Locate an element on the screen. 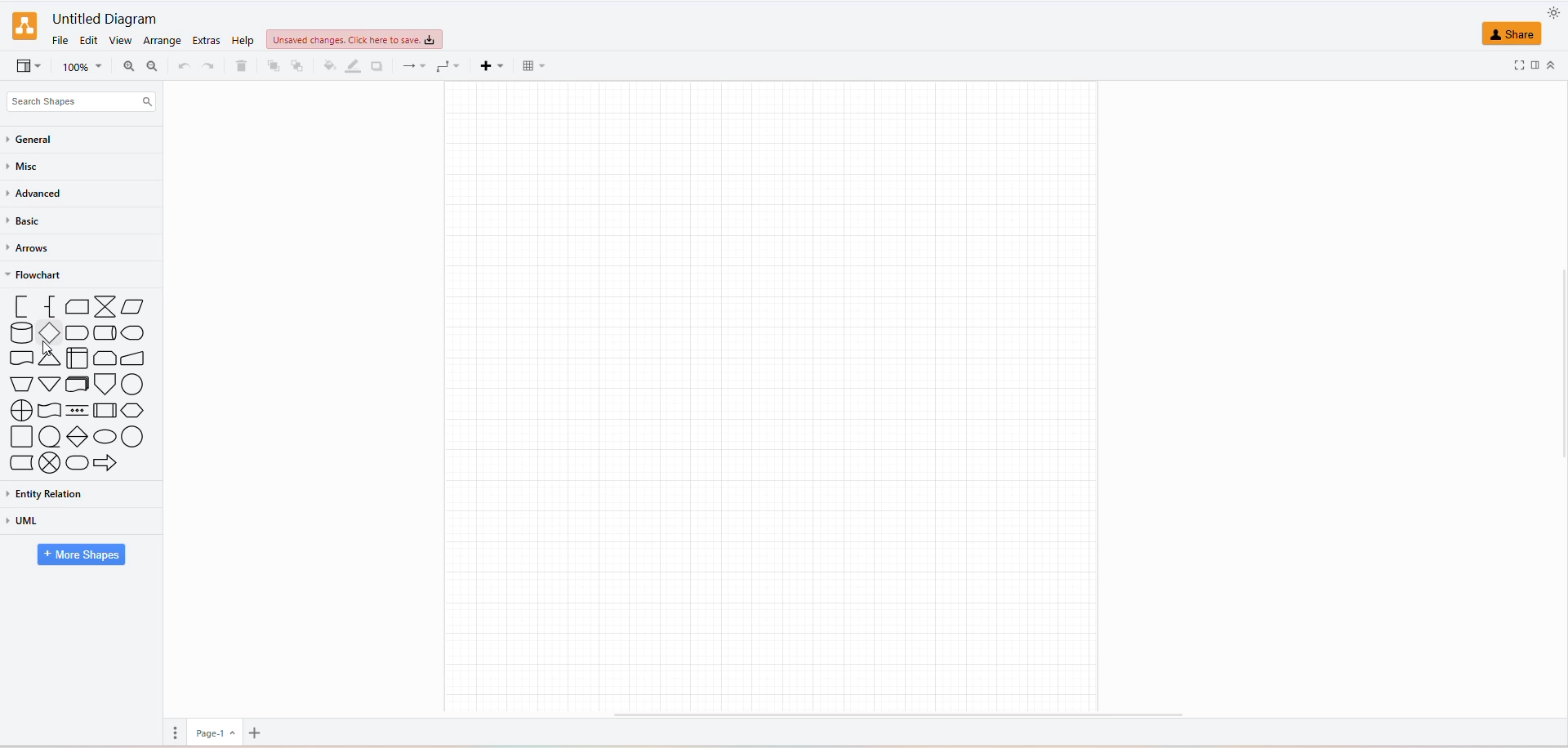 This screenshot has width=1568, height=748. TO FRONT is located at coordinates (271, 66).